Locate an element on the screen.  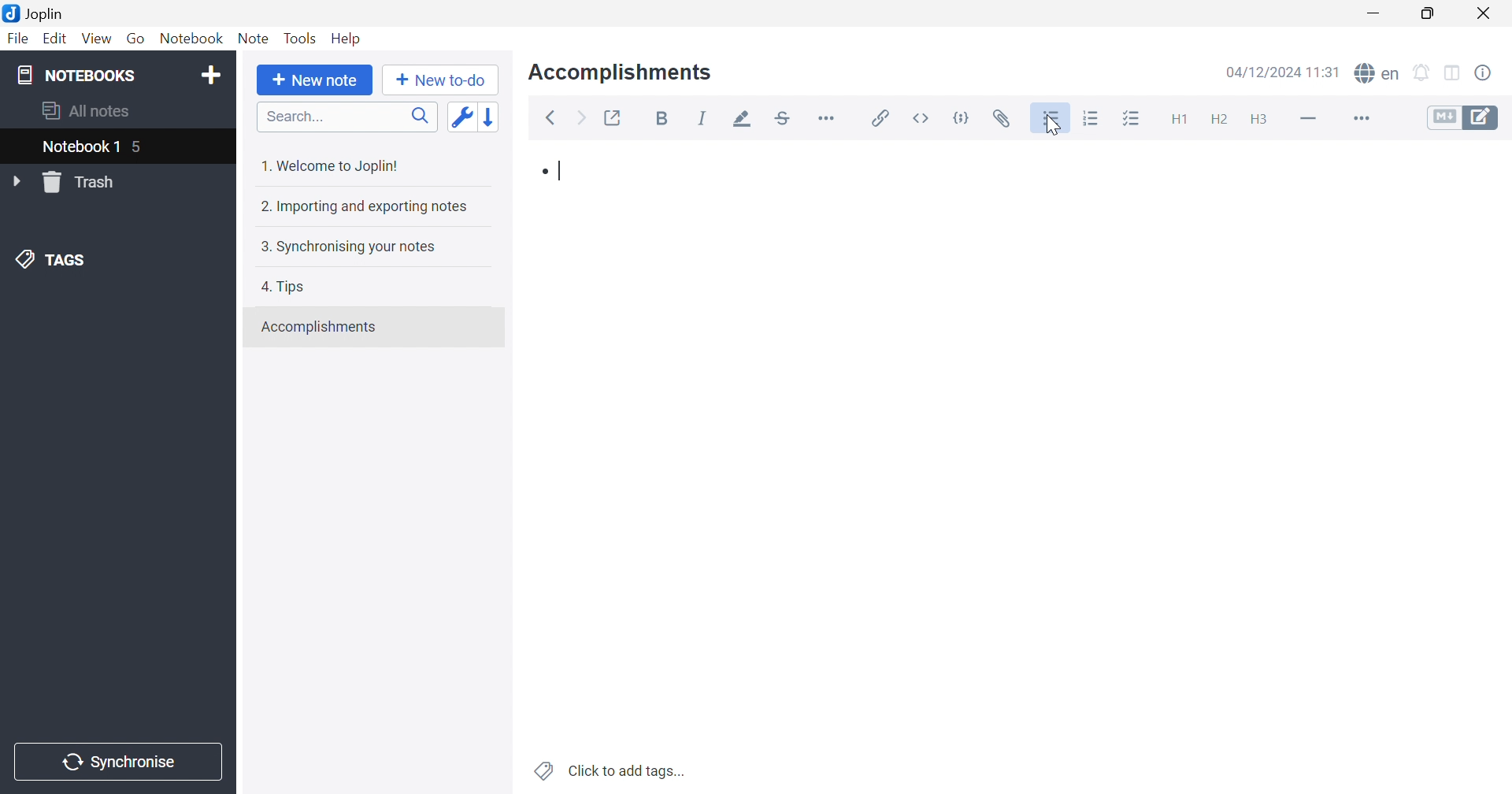
spell checker is located at coordinates (1377, 74).